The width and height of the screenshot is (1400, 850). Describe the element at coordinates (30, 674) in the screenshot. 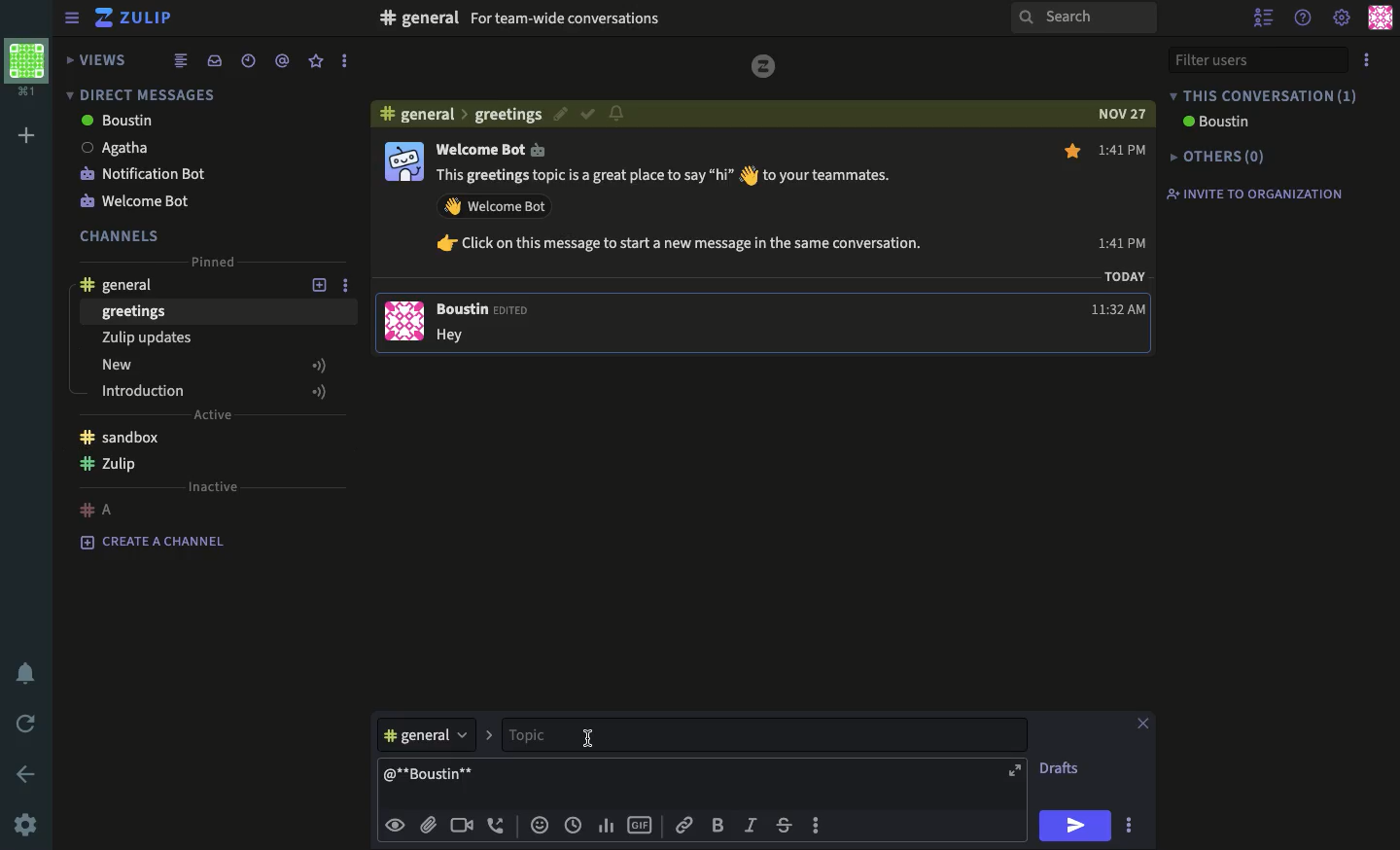

I see `notification` at that location.